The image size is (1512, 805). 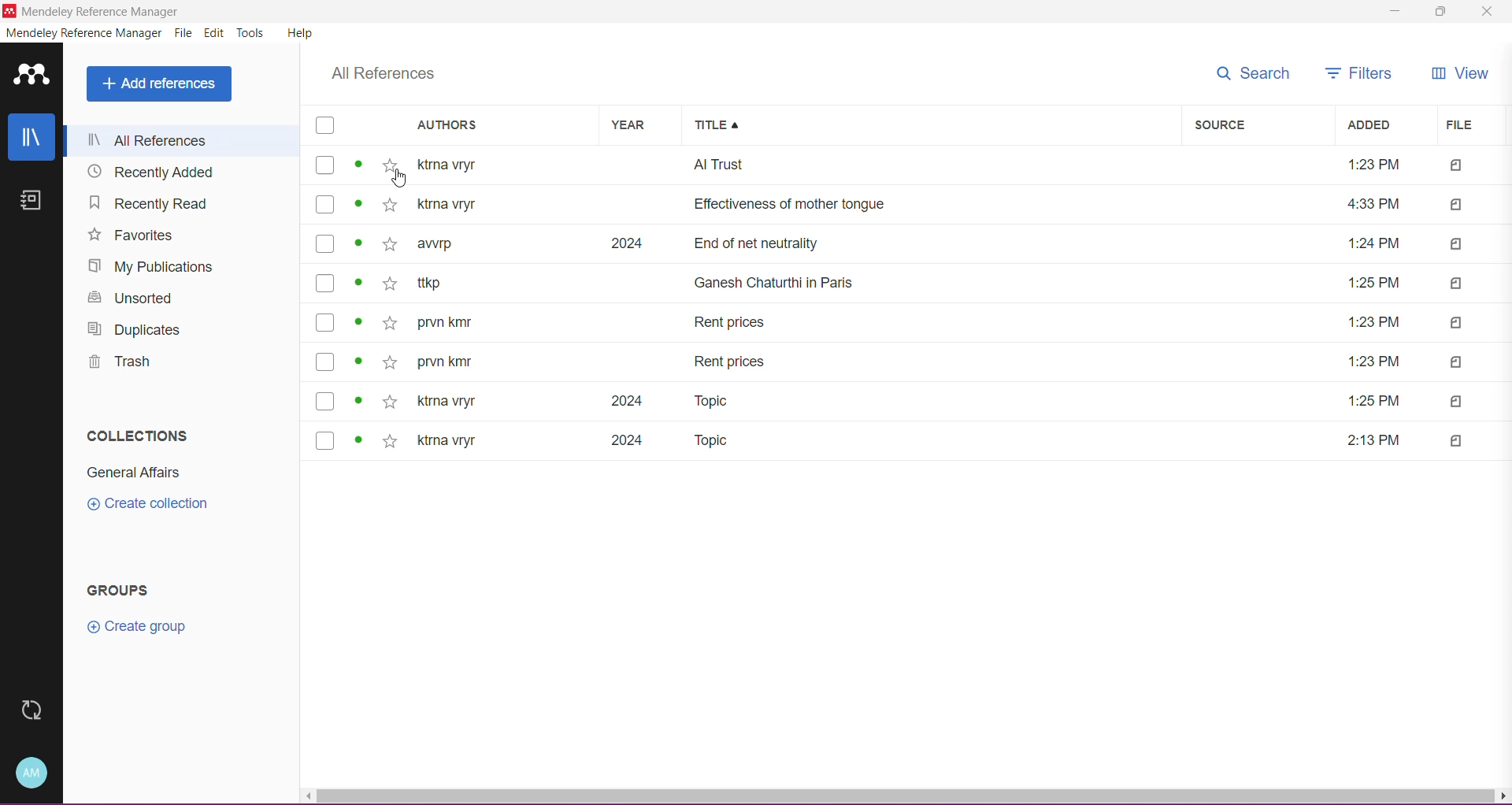 What do you see at coordinates (1392, 12) in the screenshot?
I see `Minimize` at bounding box center [1392, 12].